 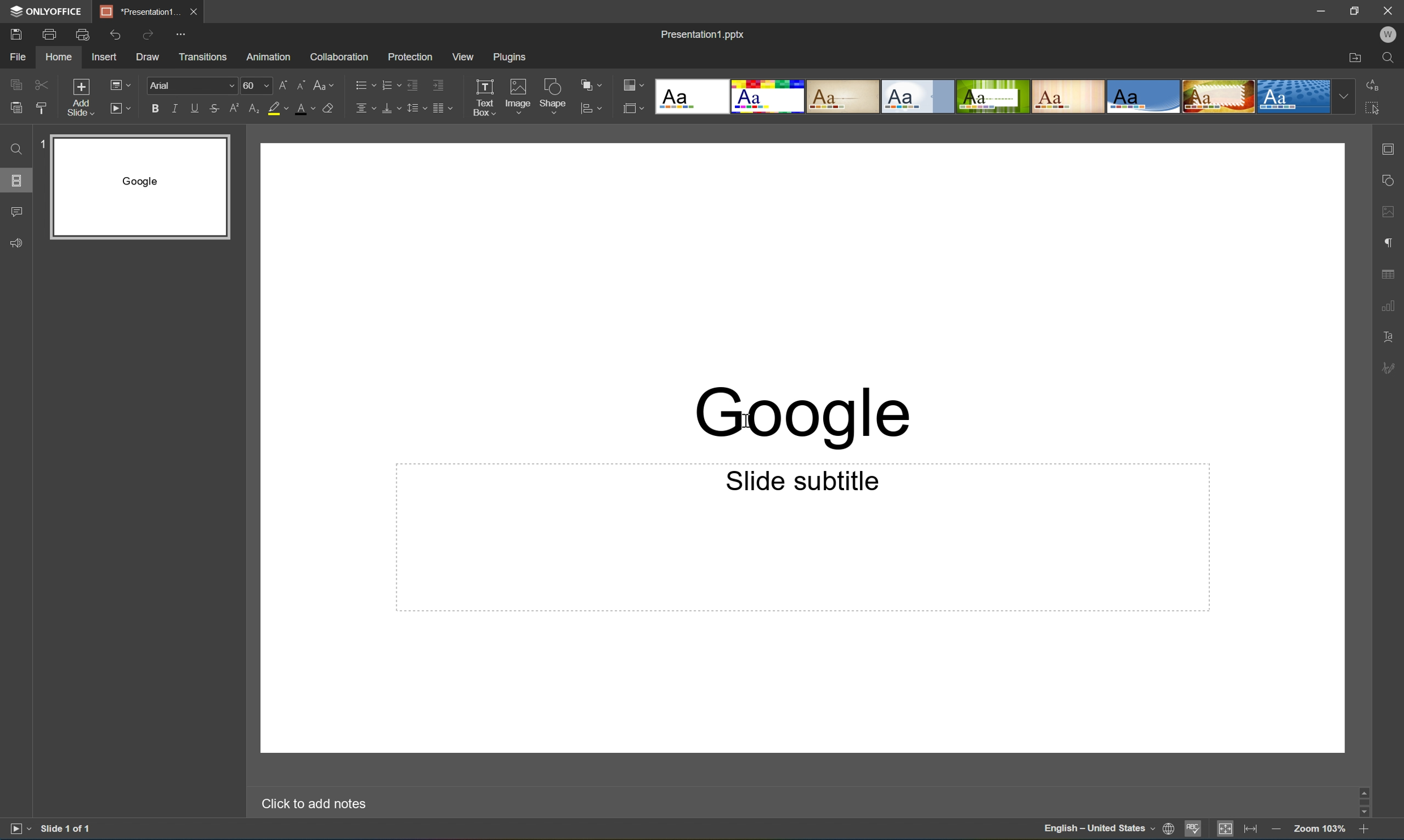 I want to click on Copy style, so click(x=44, y=109).